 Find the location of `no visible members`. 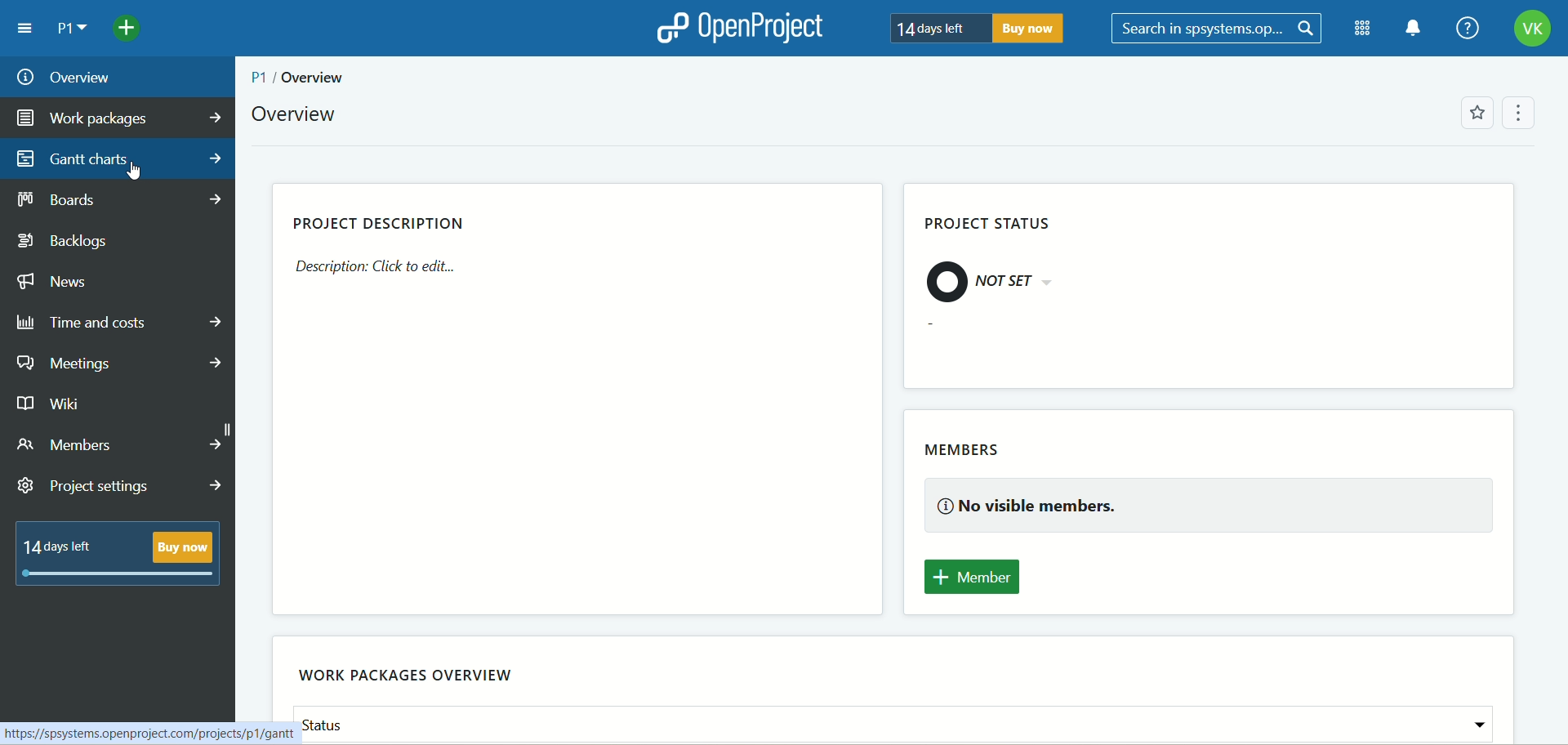

no visible members is located at coordinates (1213, 507).